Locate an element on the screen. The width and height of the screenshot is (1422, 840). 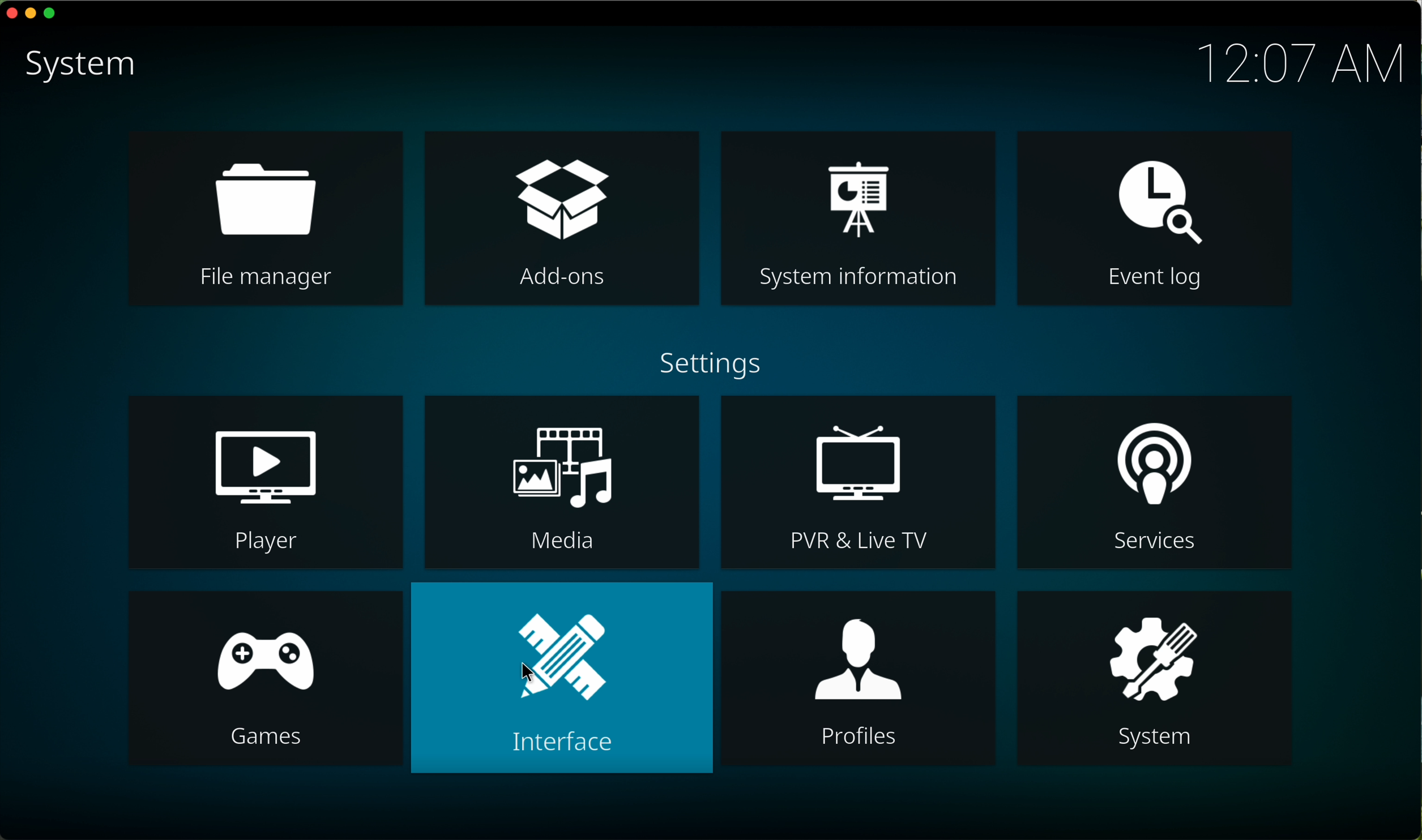
event log is located at coordinates (1154, 217).